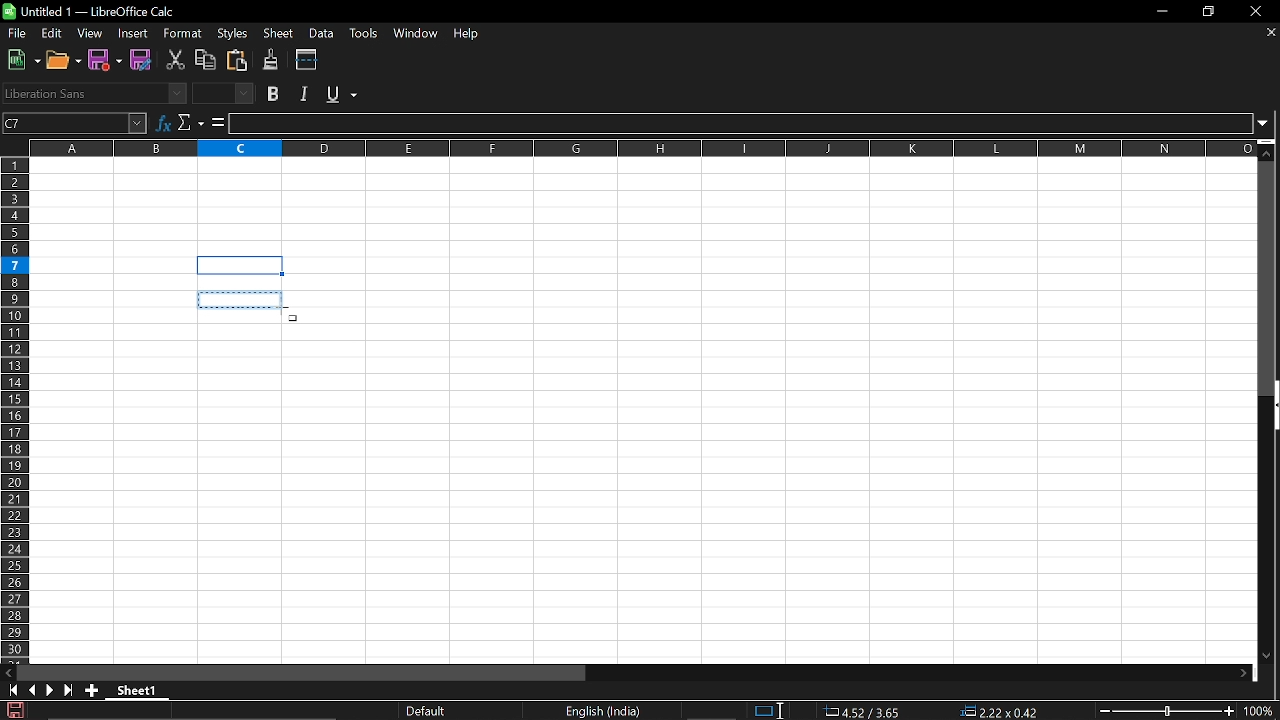  Describe the element at coordinates (270, 60) in the screenshot. I see `Clone formating` at that location.